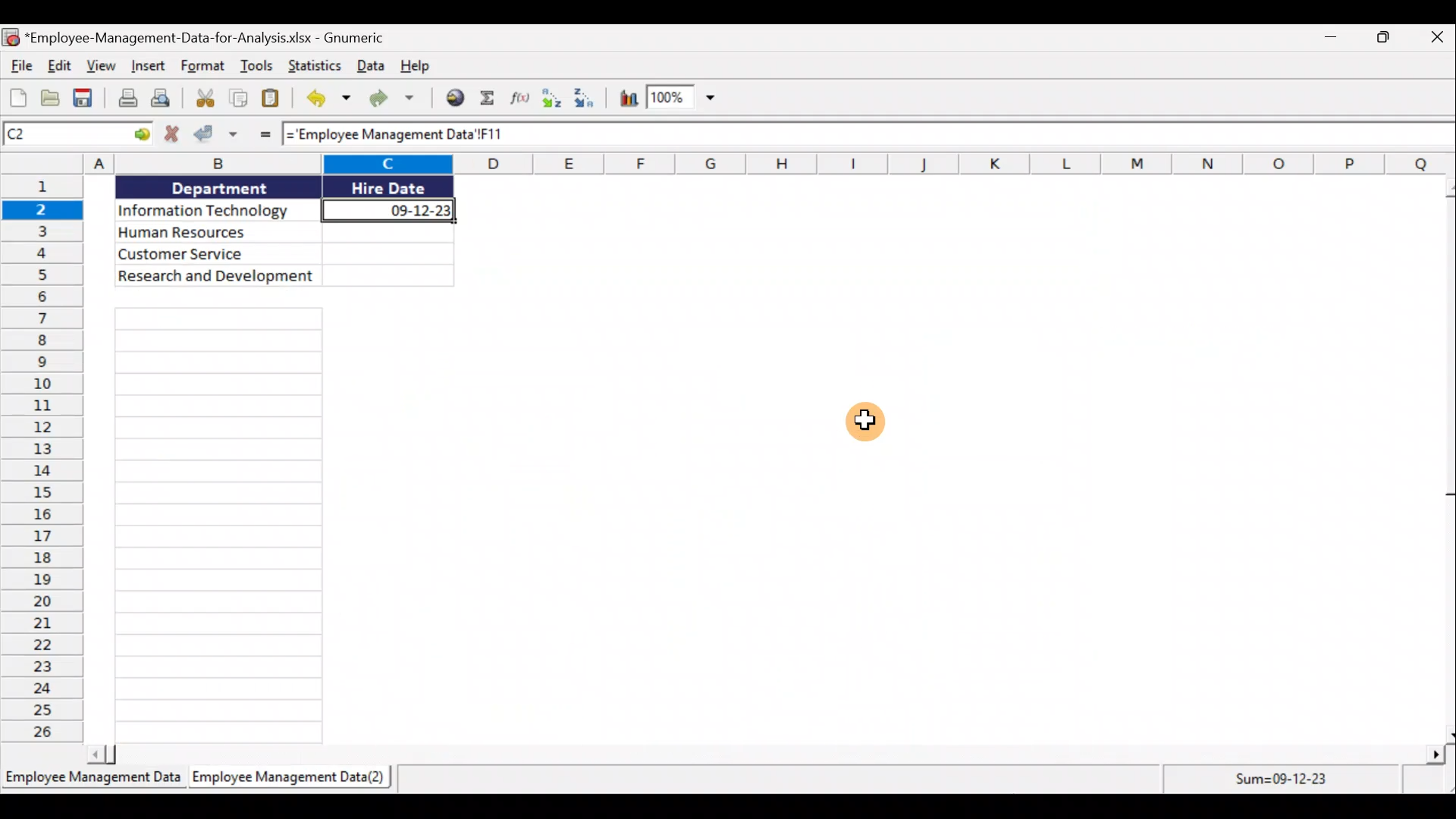 This screenshot has width=1456, height=819. I want to click on Sheet 1, so click(93, 782).